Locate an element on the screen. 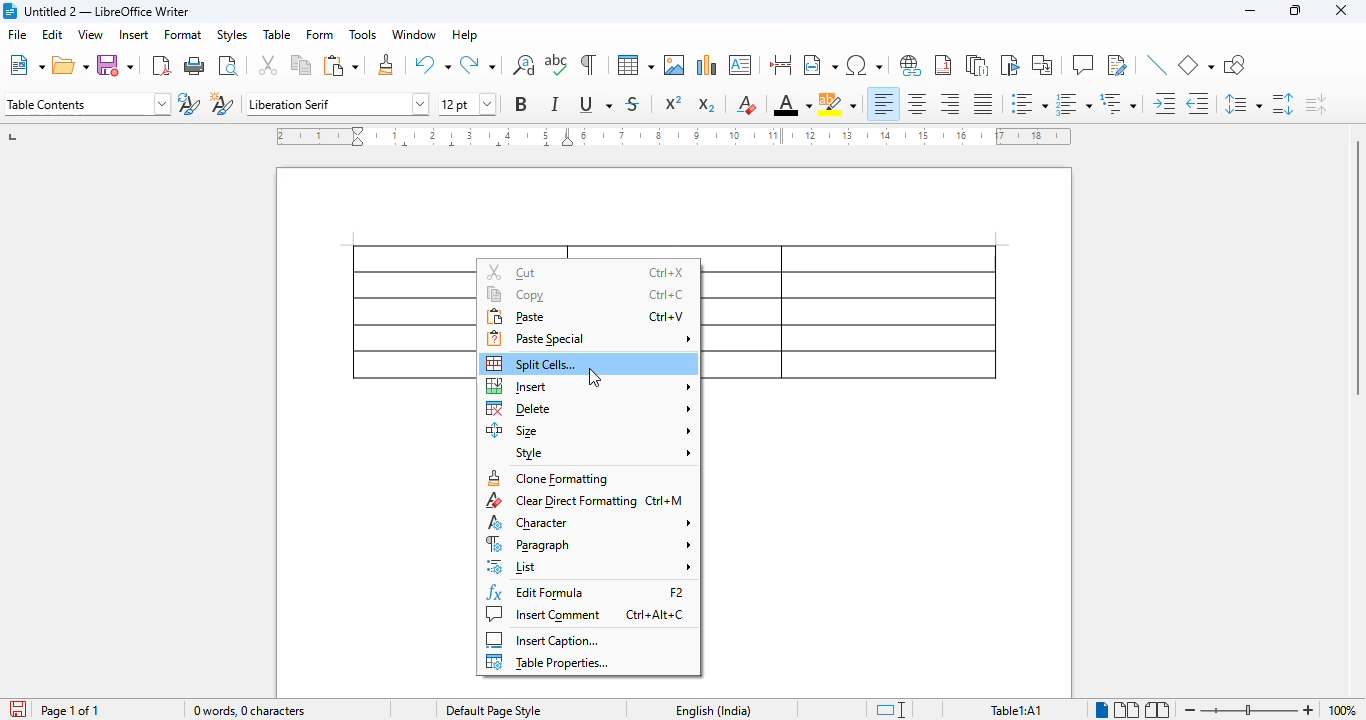 Image resolution: width=1366 pixels, height=720 pixels. font size is located at coordinates (468, 104).